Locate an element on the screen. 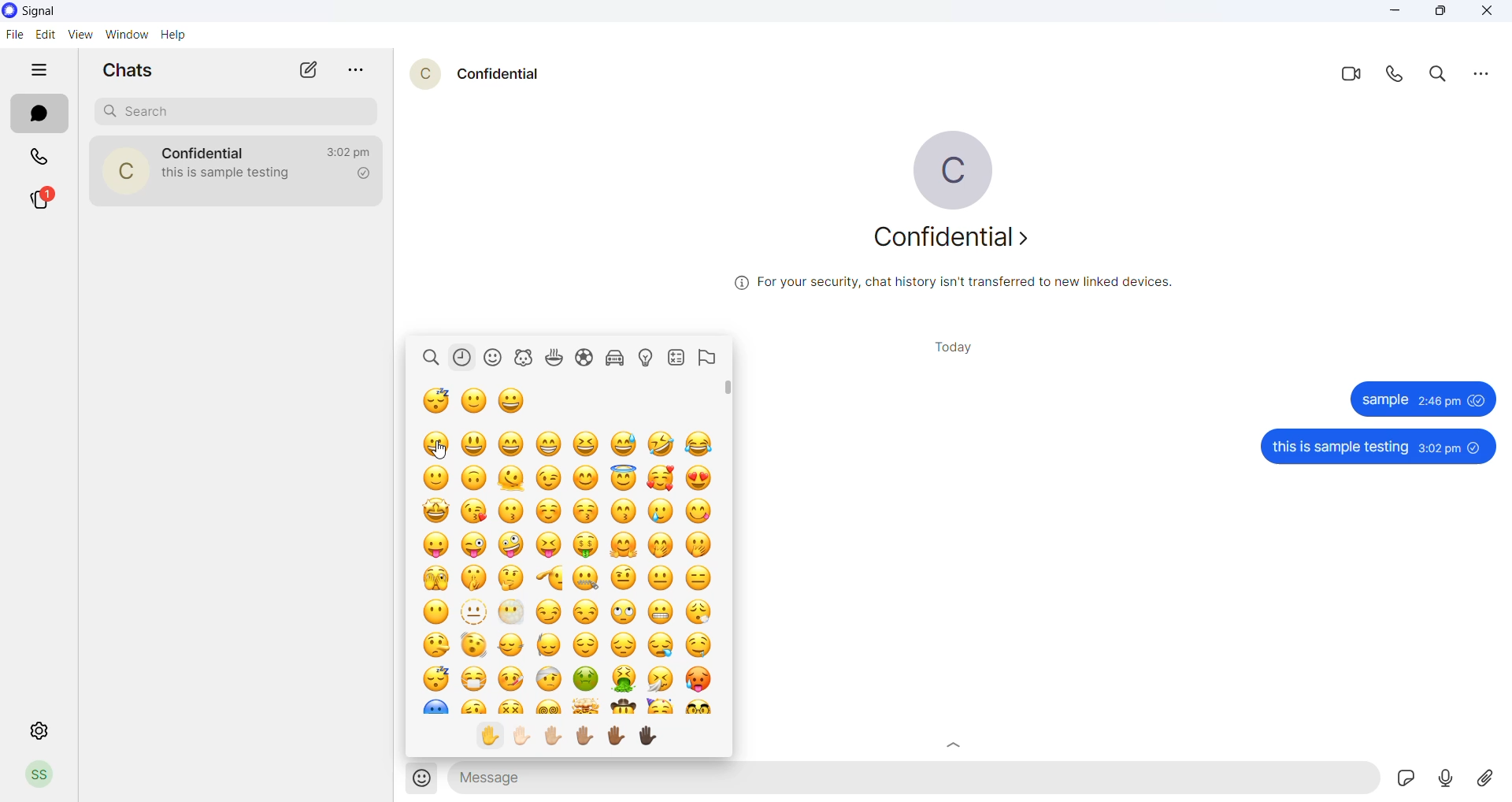 The height and width of the screenshot is (802, 1512). security related text is located at coordinates (952, 284).